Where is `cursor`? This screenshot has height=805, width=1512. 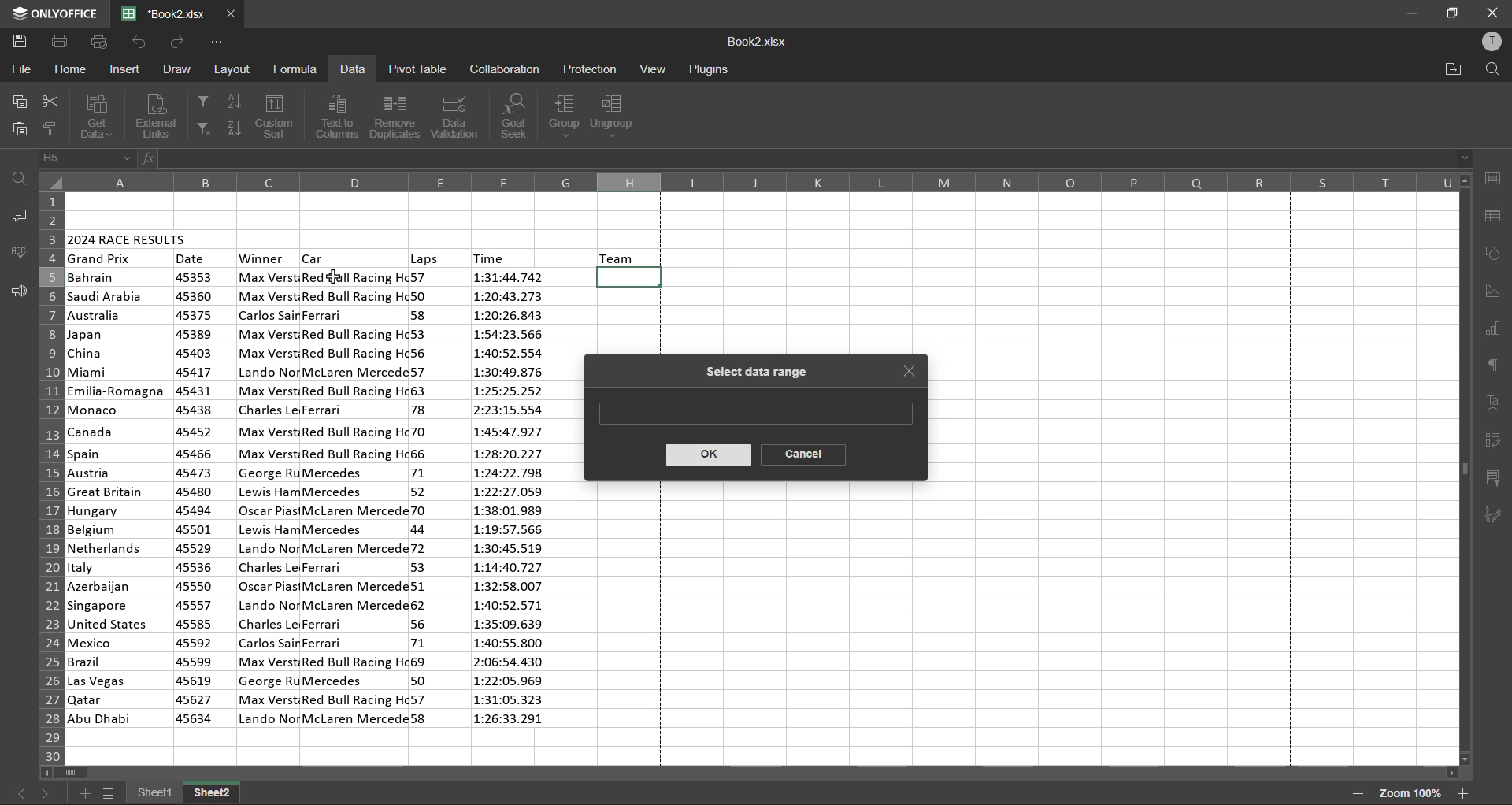
cursor is located at coordinates (334, 280).